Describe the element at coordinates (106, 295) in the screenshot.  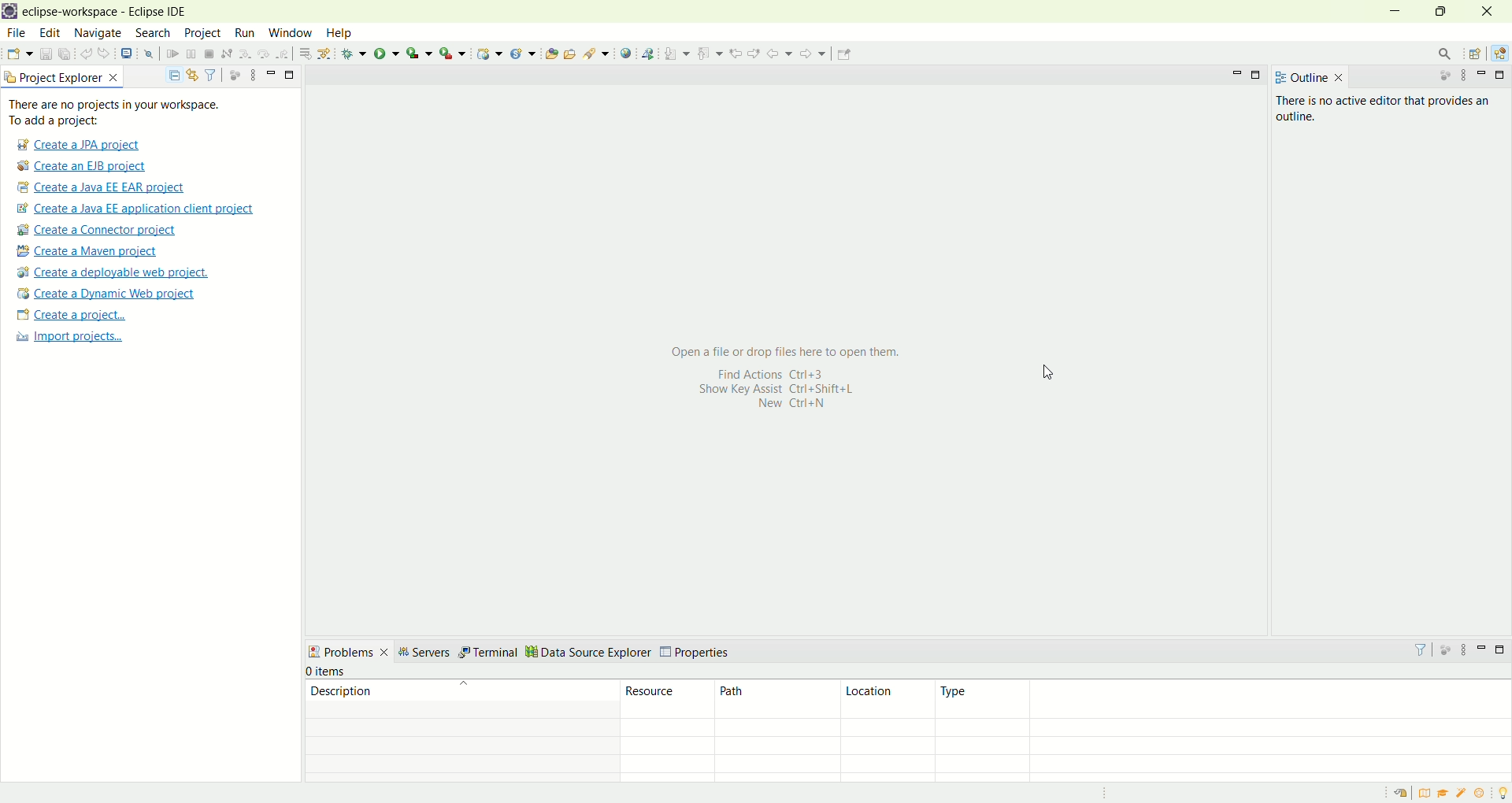
I see `create a dynamic web project` at that location.